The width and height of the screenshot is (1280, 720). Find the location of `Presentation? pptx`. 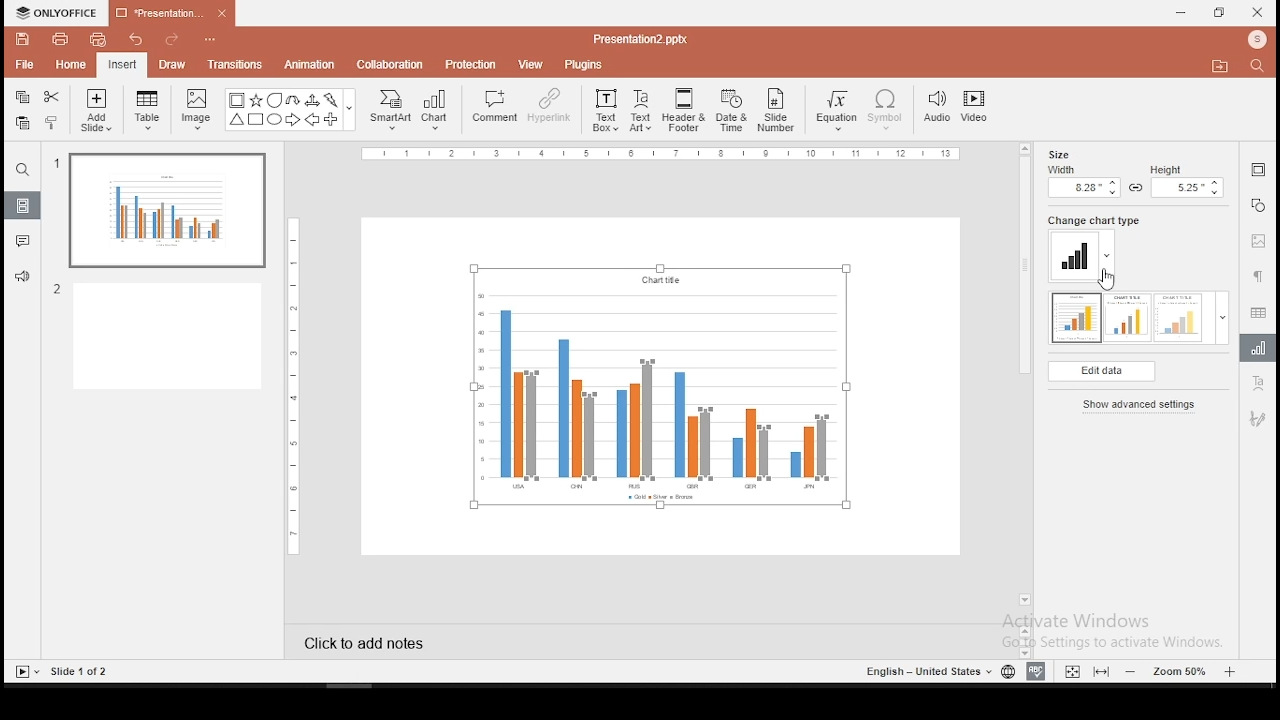

Presentation? pptx is located at coordinates (638, 39).